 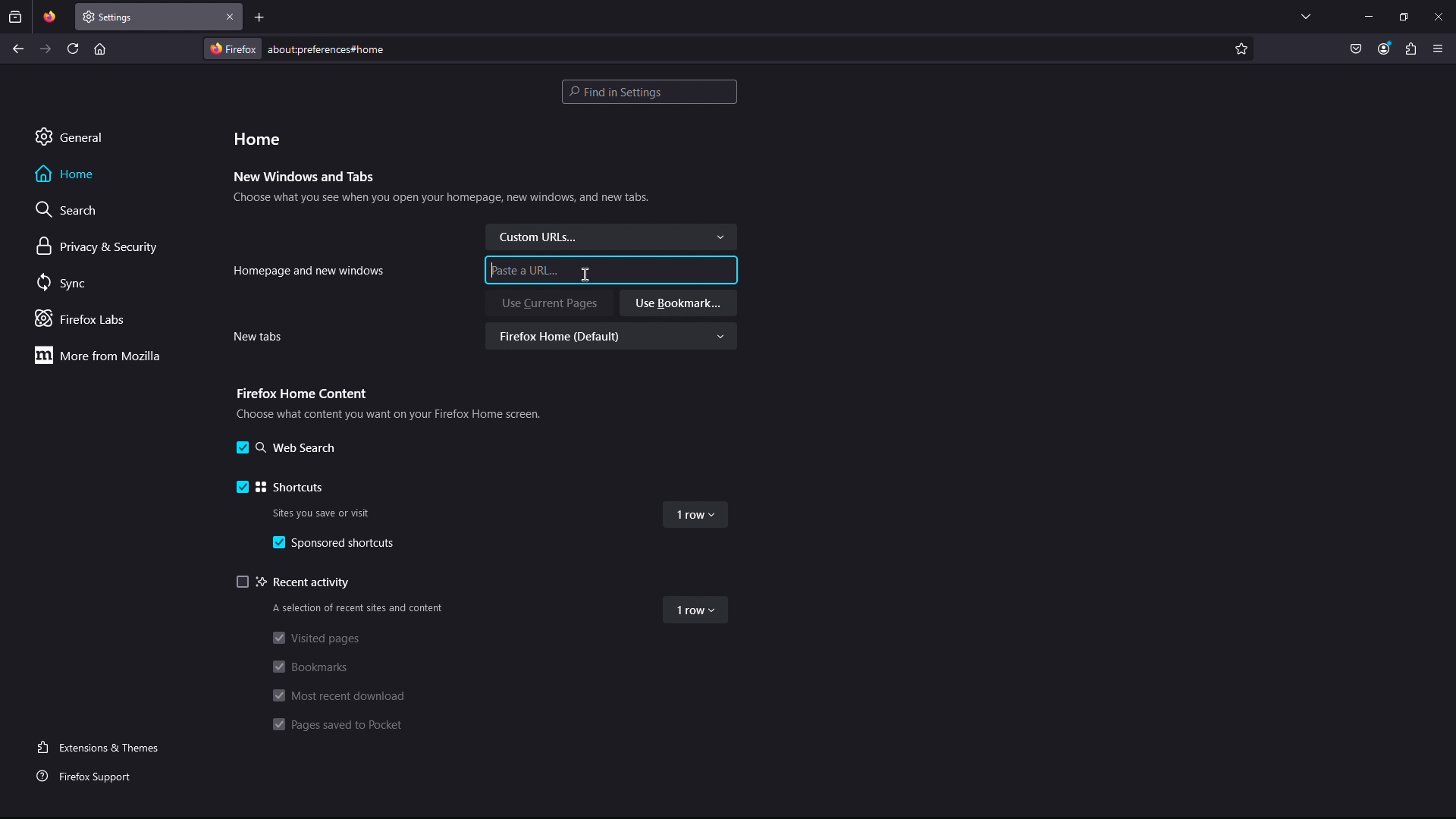 I want to click on Pinned Tab, so click(x=49, y=17).